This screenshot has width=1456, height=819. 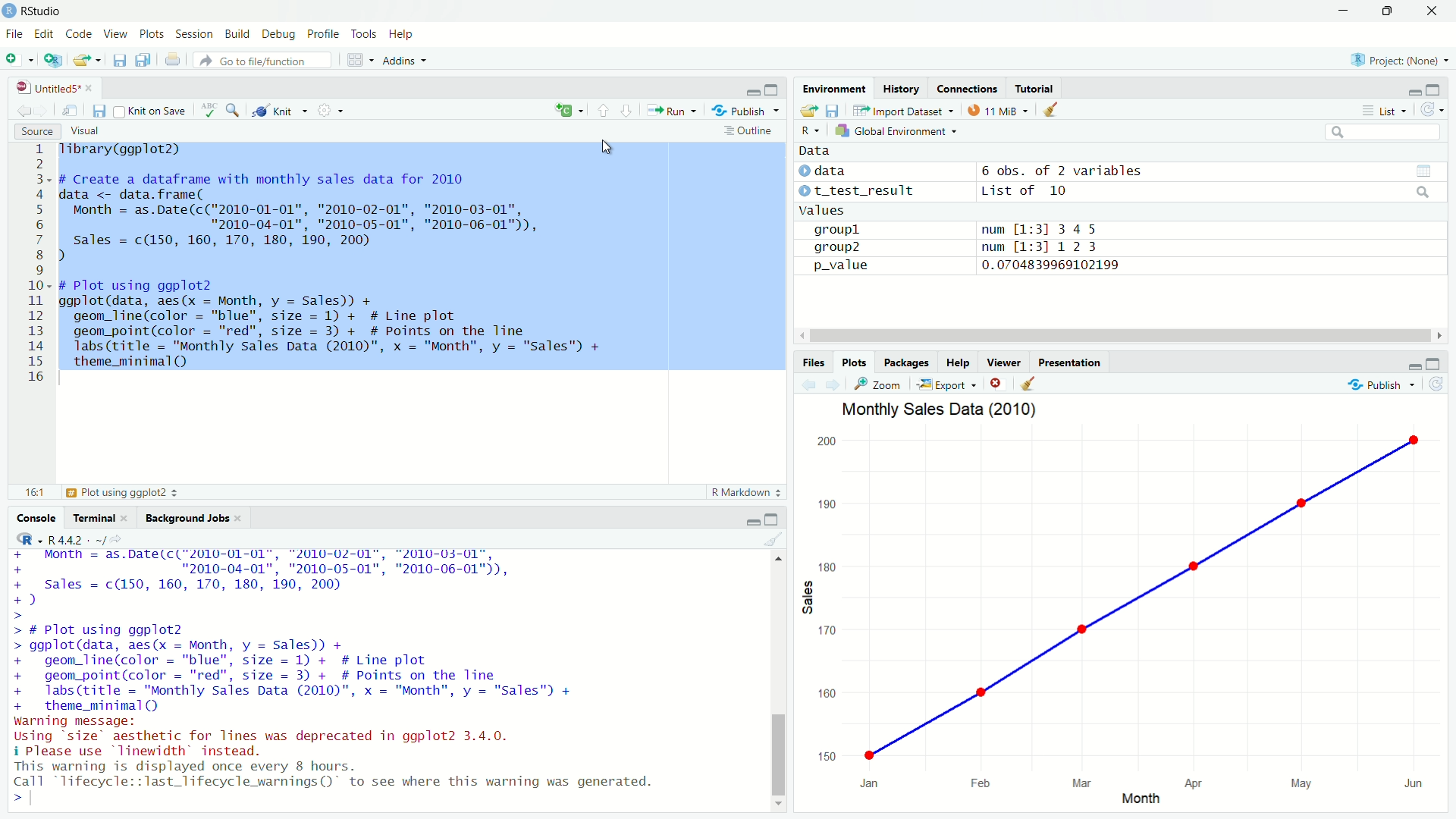 I want to click on Debug, so click(x=277, y=32).